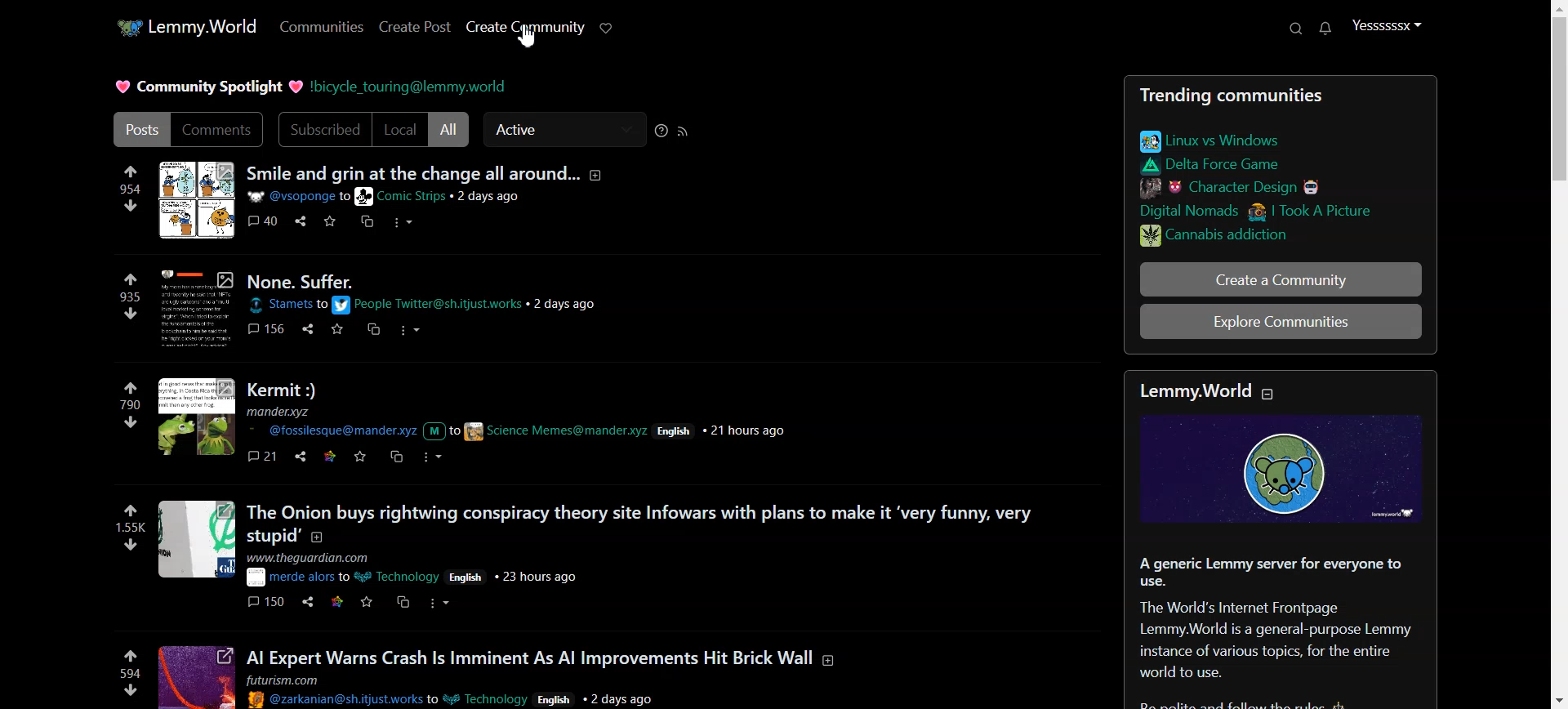 The width and height of the screenshot is (1568, 709). Describe the element at coordinates (1555, 354) in the screenshot. I see `Vertical Scroll Bar` at that location.